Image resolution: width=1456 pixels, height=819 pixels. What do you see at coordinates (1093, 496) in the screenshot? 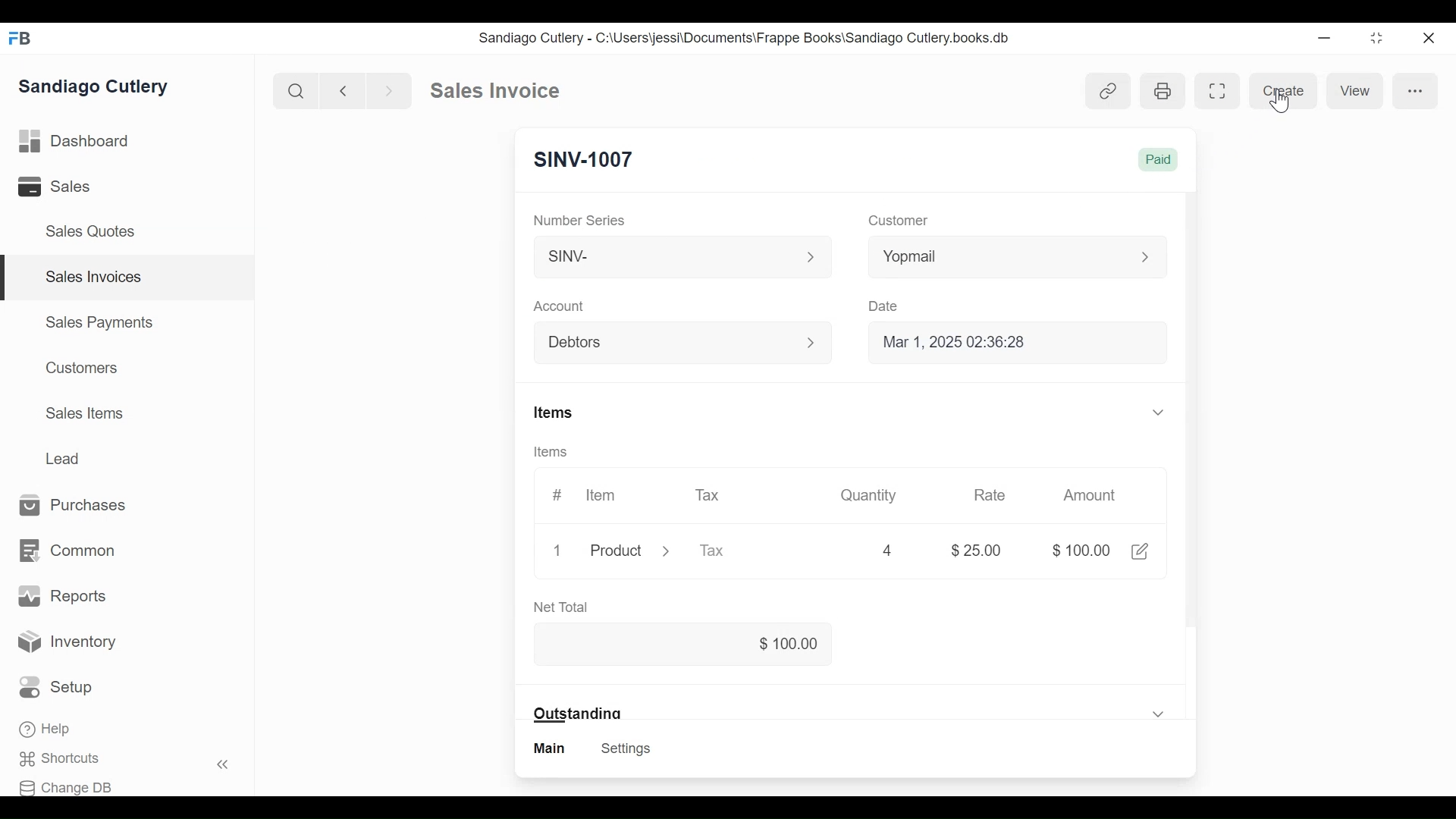
I see `Amount` at bounding box center [1093, 496].